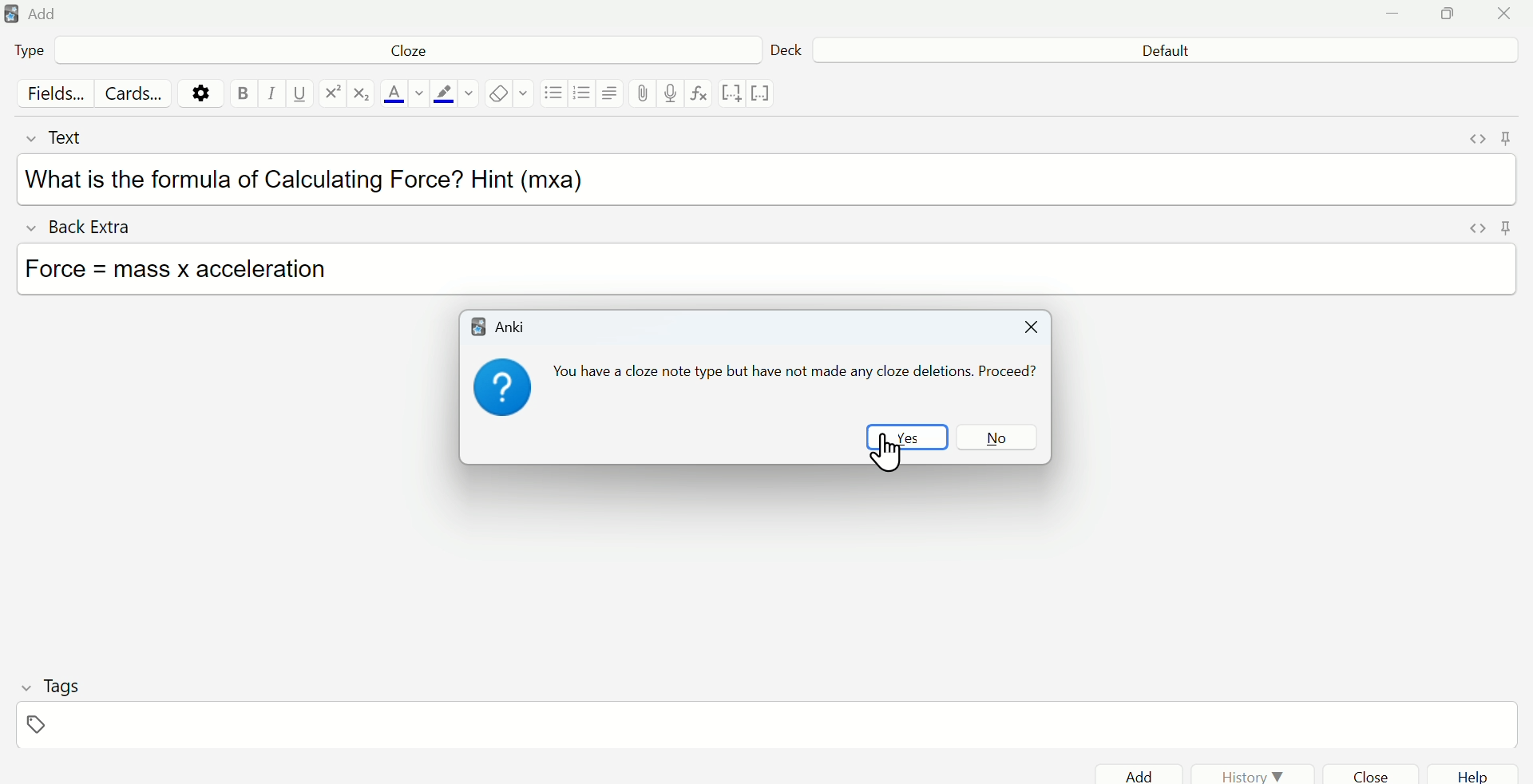 This screenshot has height=784, width=1533. Describe the element at coordinates (267, 98) in the screenshot. I see `Italics` at that location.